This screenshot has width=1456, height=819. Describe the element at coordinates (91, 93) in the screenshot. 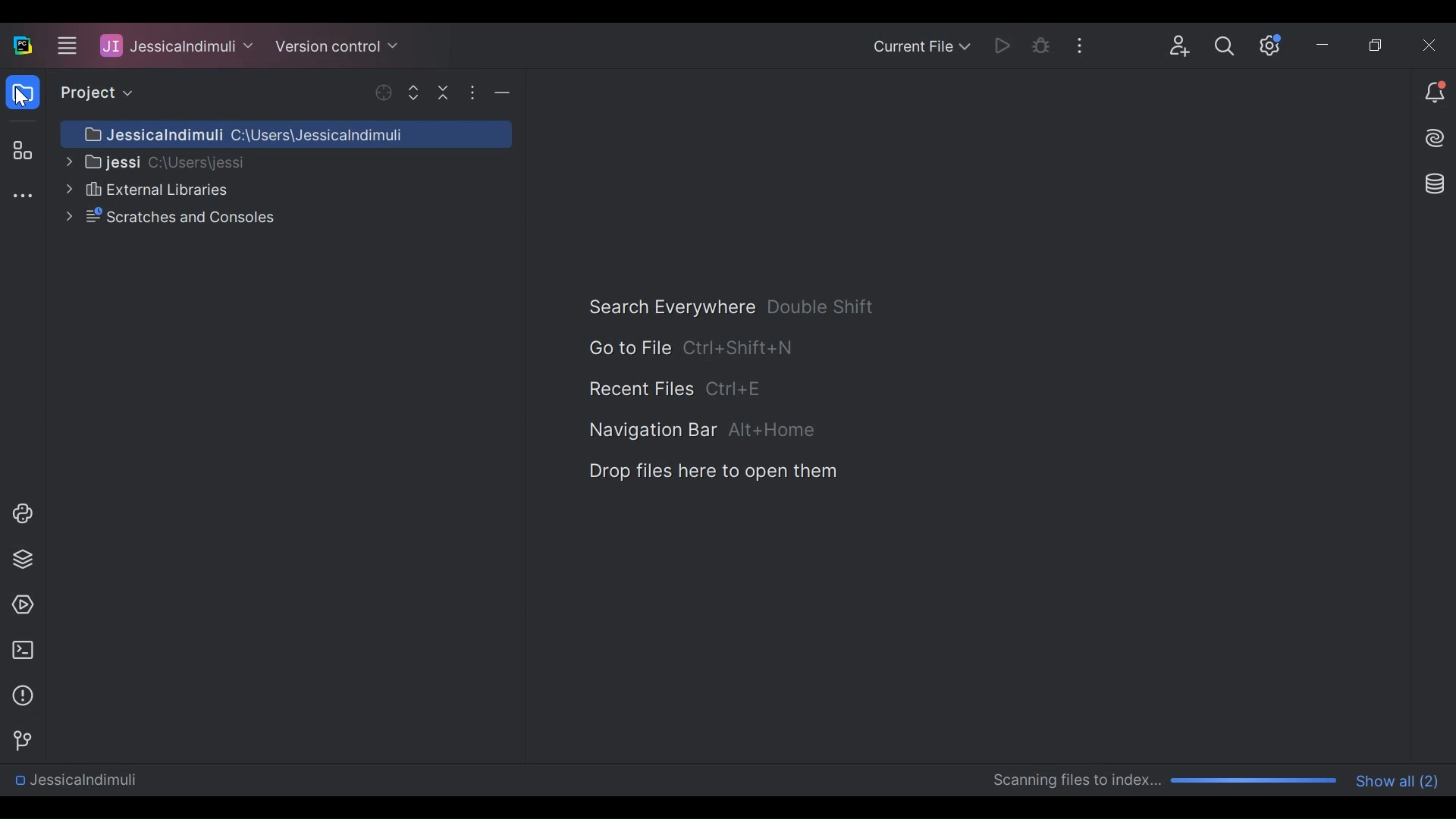

I see `Project ` at that location.